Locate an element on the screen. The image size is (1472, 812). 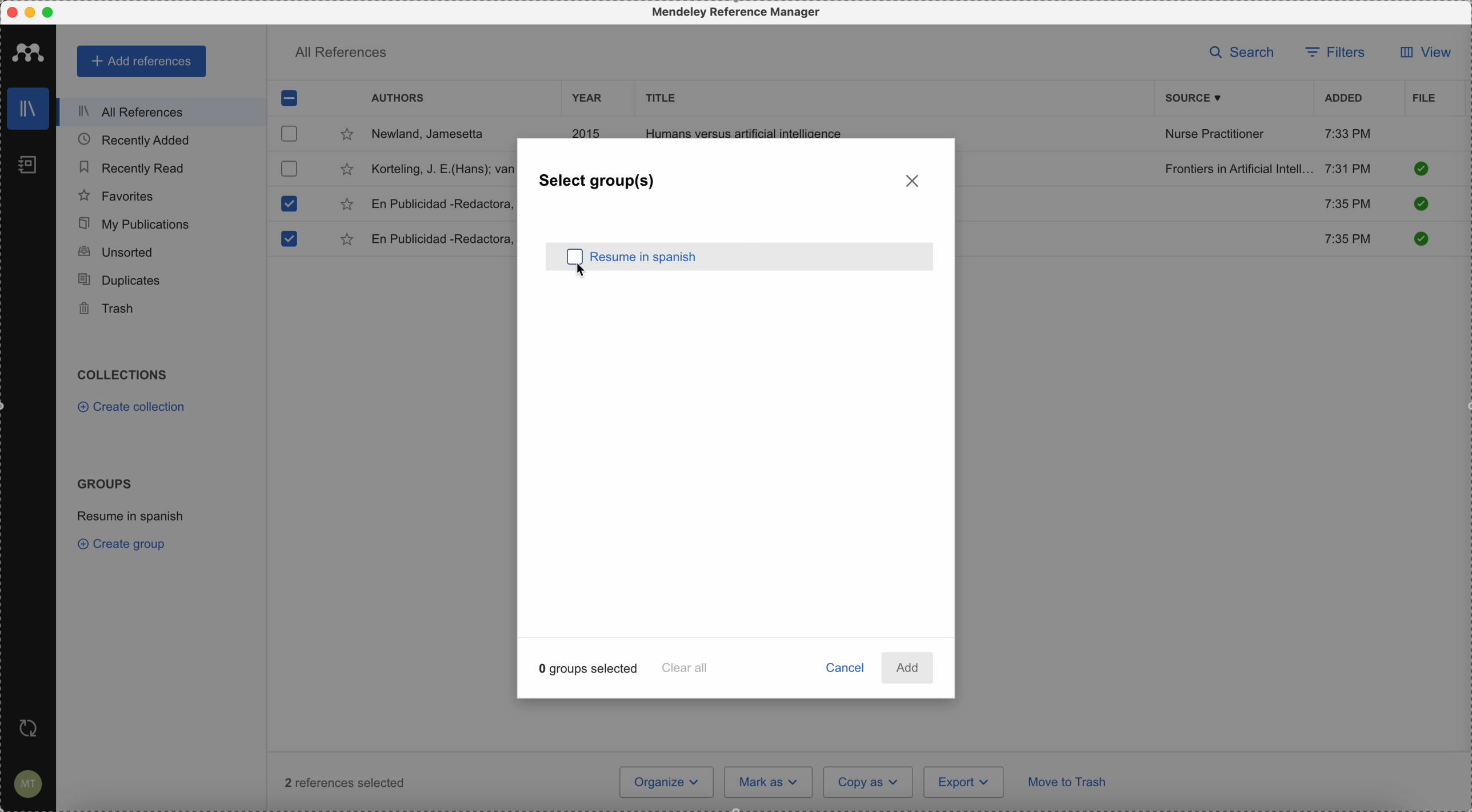
checkbox is located at coordinates (291, 133).